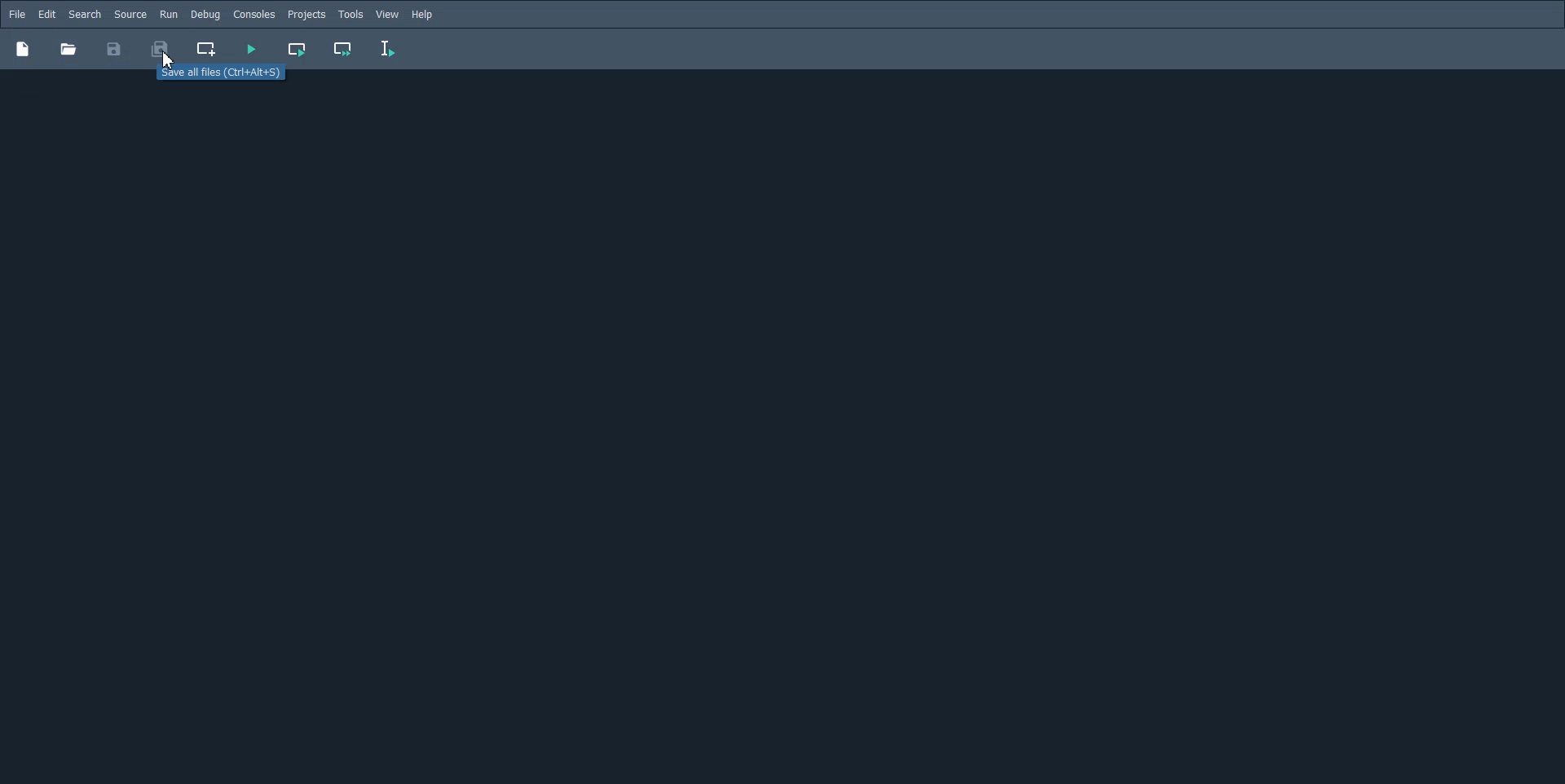  What do you see at coordinates (253, 15) in the screenshot?
I see `Console` at bounding box center [253, 15].